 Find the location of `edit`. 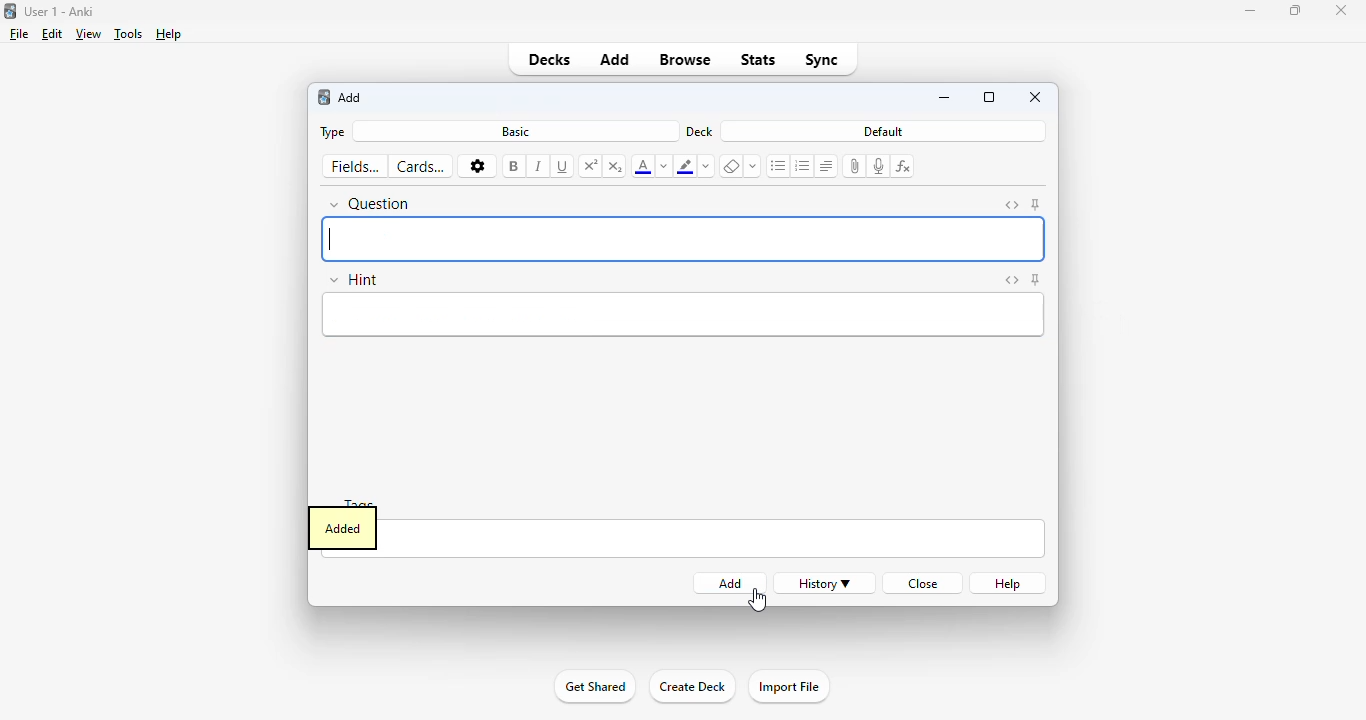

edit is located at coordinates (53, 34).